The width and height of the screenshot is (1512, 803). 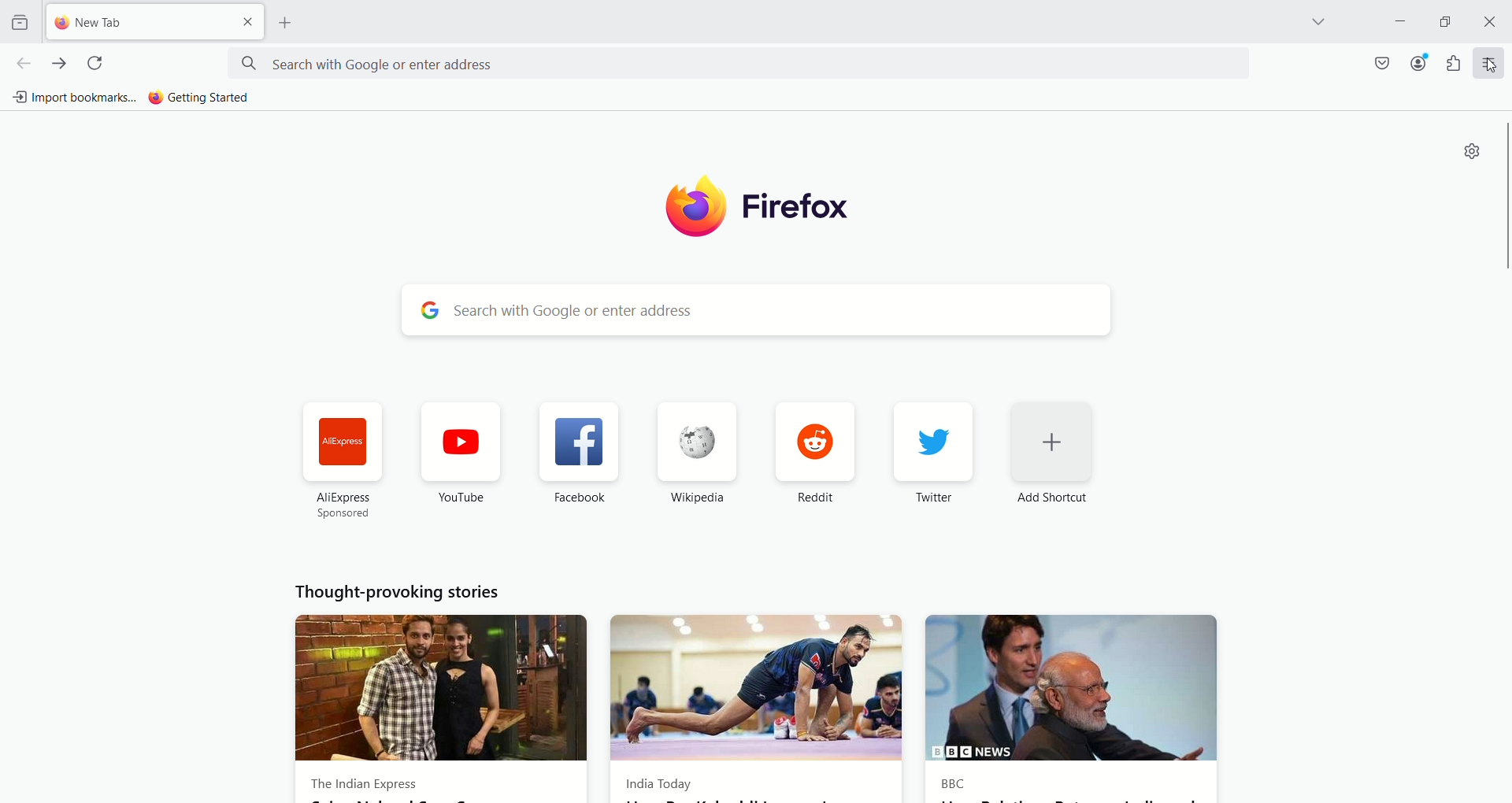 What do you see at coordinates (135, 21) in the screenshot?
I see `new tab` at bounding box center [135, 21].